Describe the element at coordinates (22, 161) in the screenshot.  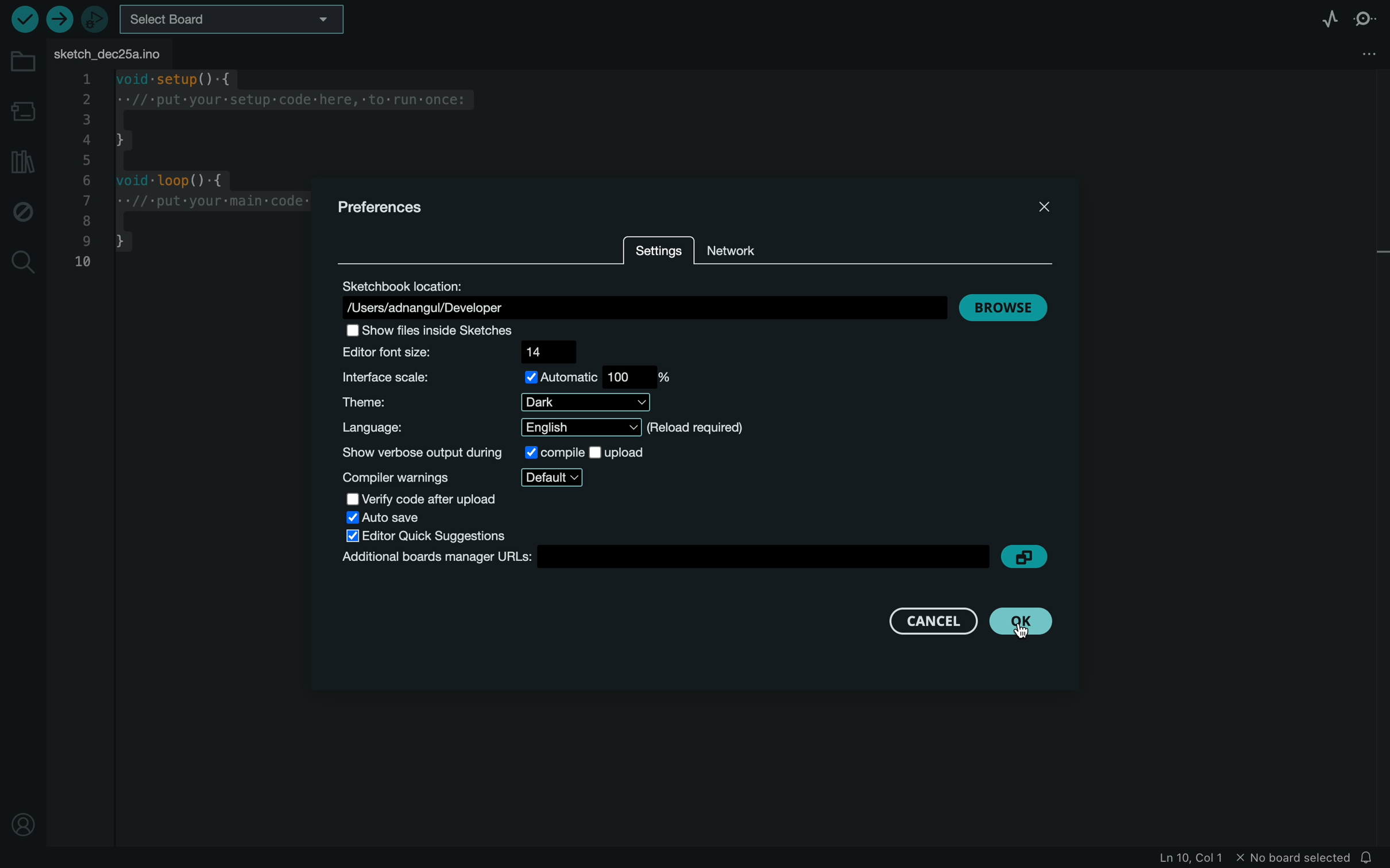
I see `library  manager` at that location.